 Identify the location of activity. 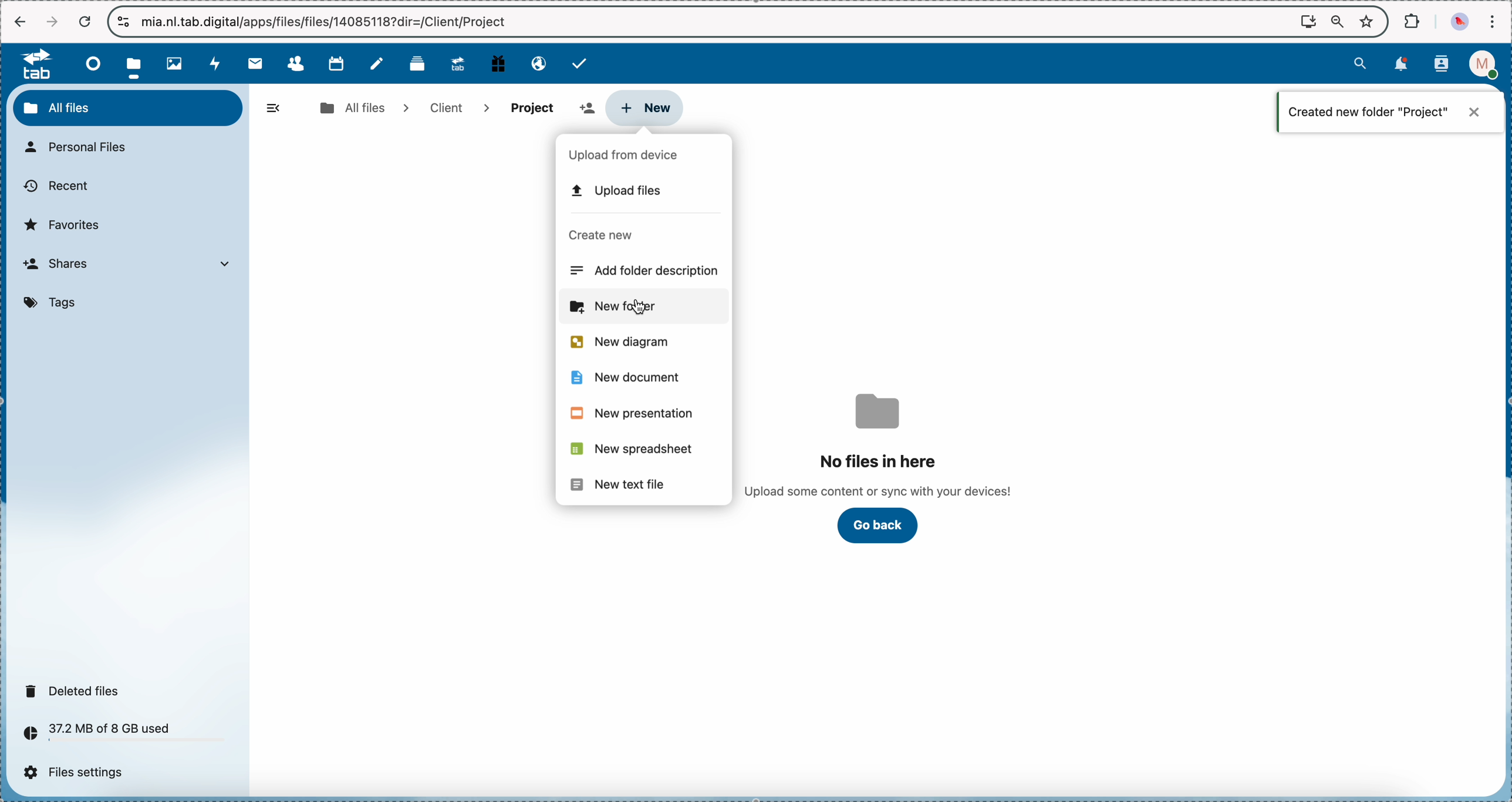
(217, 63).